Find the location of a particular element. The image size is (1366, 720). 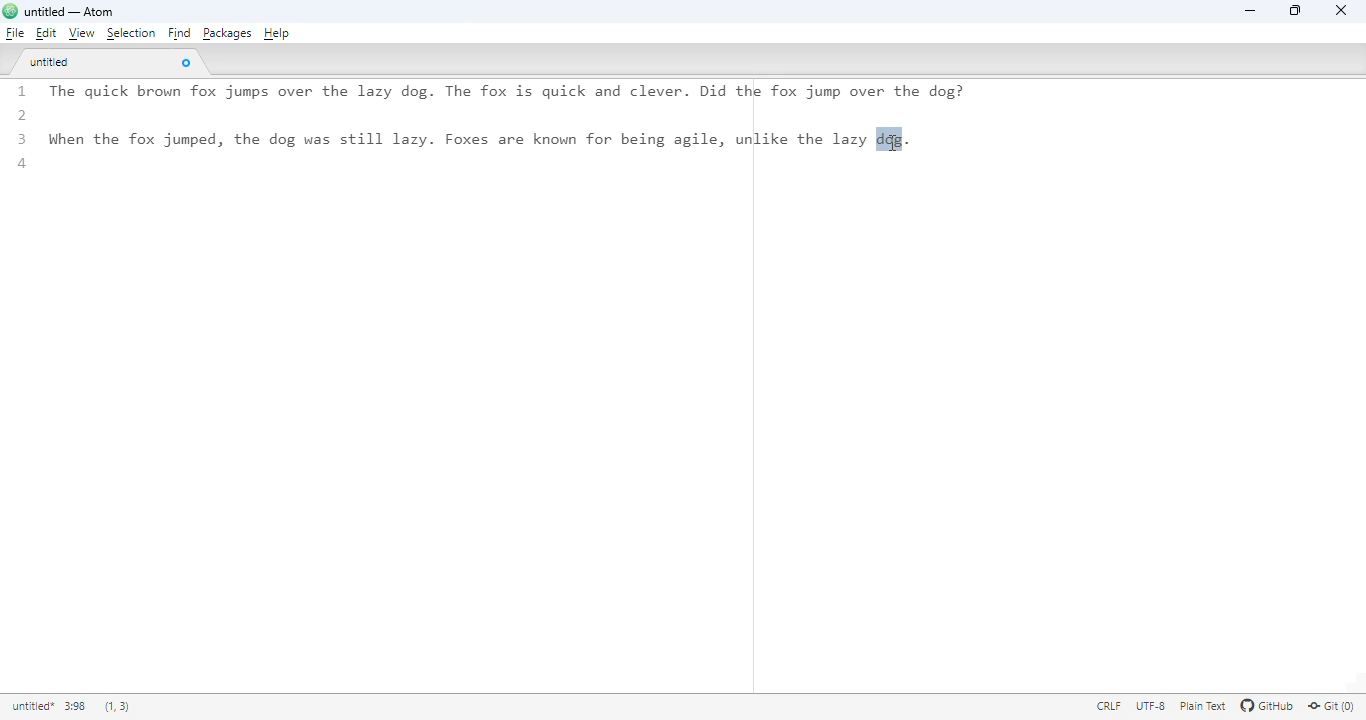

plain text is located at coordinates (1204, 706).